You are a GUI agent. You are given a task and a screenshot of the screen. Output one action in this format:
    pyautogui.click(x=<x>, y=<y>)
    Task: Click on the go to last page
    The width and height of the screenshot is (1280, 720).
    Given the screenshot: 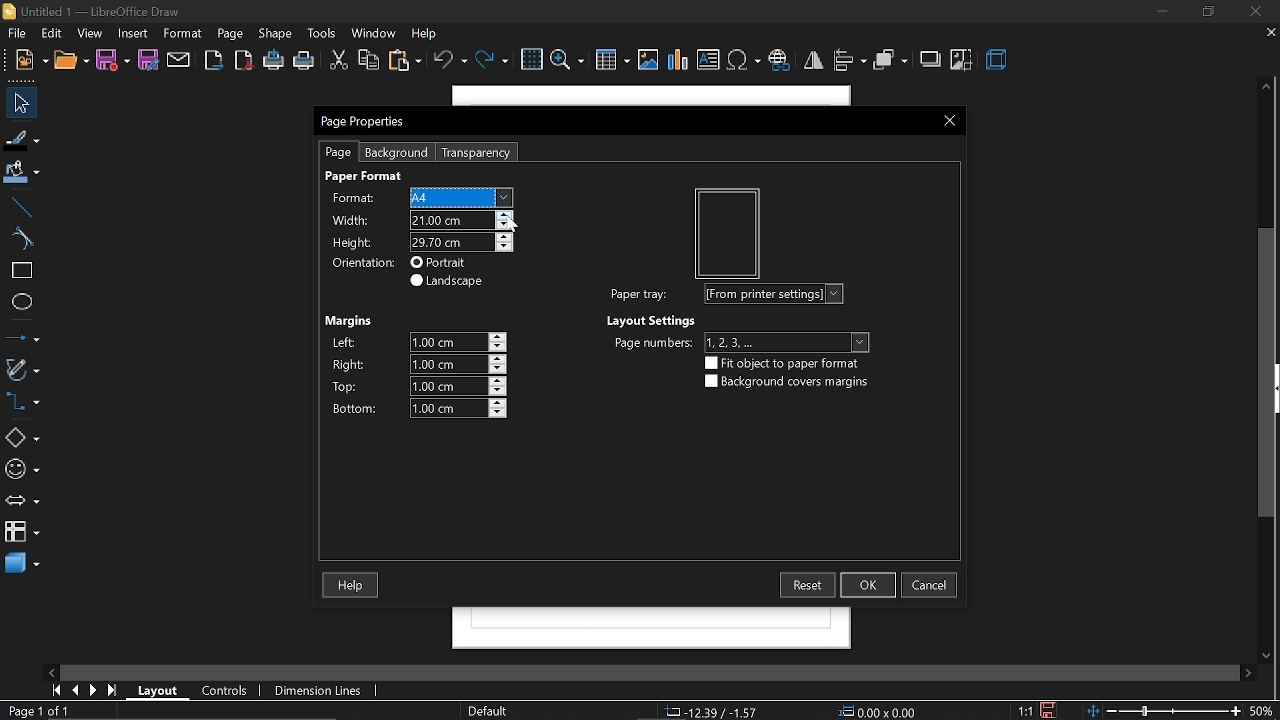 What is the action you would take?
    pyautogui.click(x=114, y=691)
    